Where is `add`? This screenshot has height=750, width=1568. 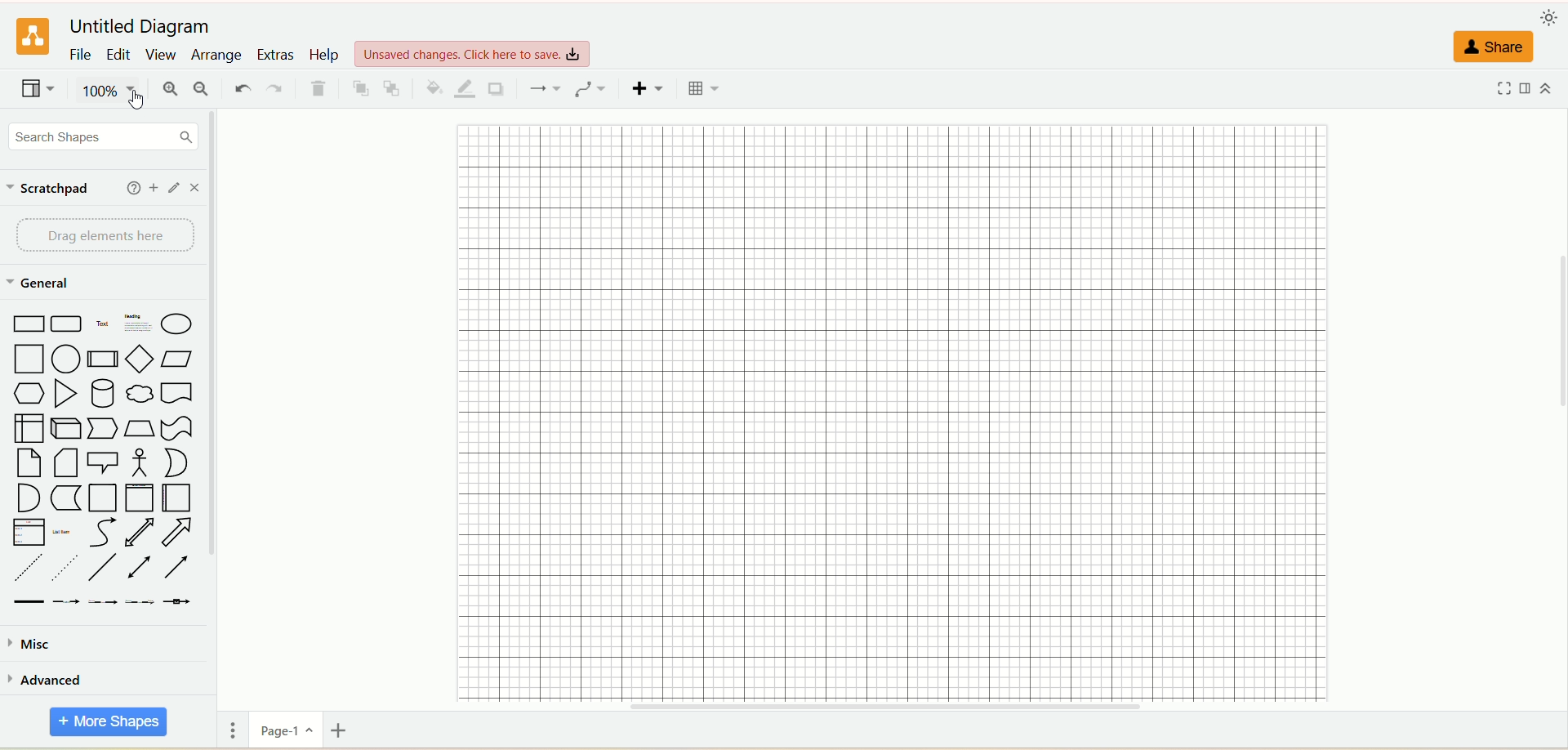
add is located at coordinates (153, 187).